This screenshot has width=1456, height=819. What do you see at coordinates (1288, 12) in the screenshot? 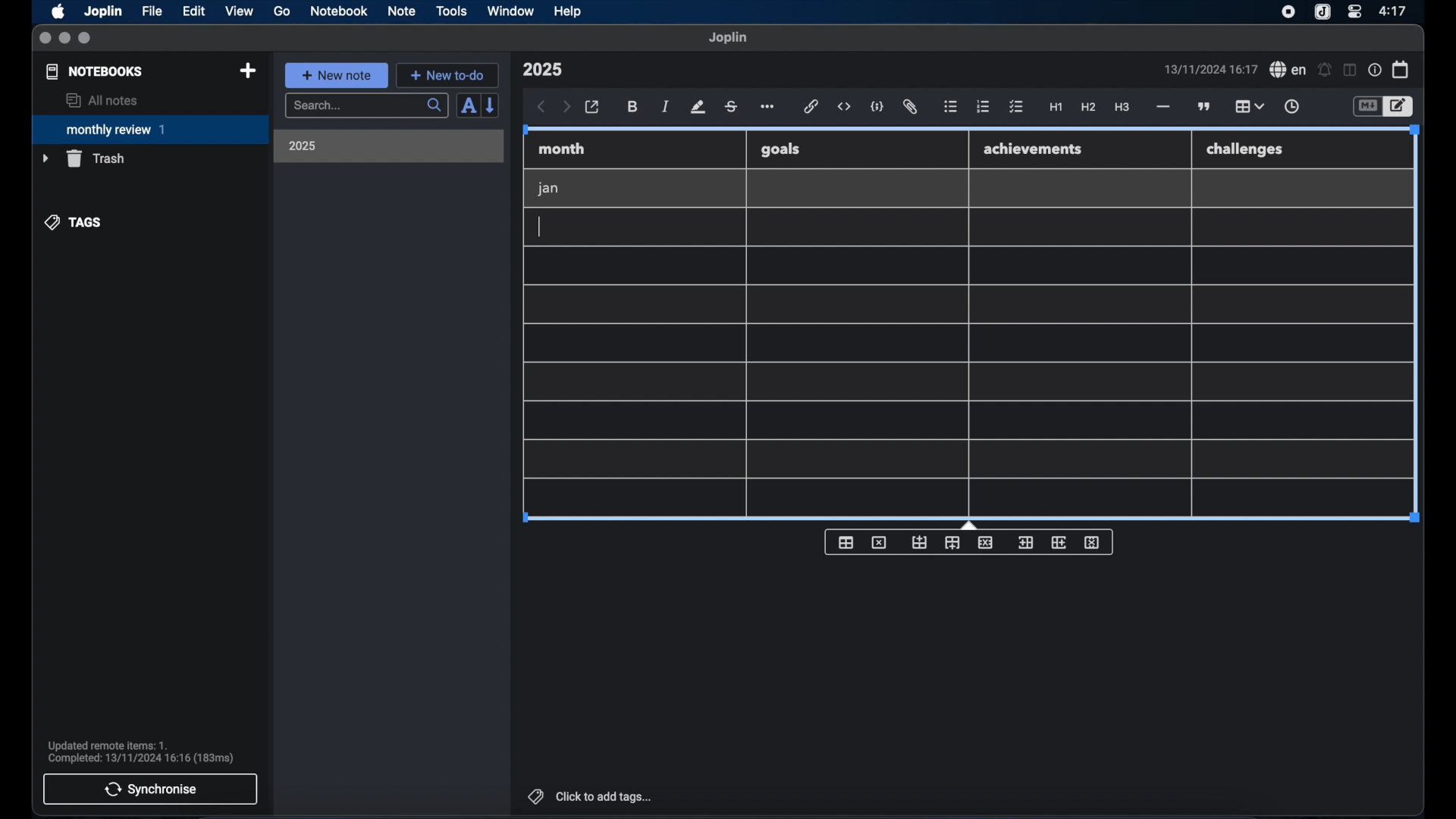
I see `screen recorder icon` at bounding box center [1288, 12].